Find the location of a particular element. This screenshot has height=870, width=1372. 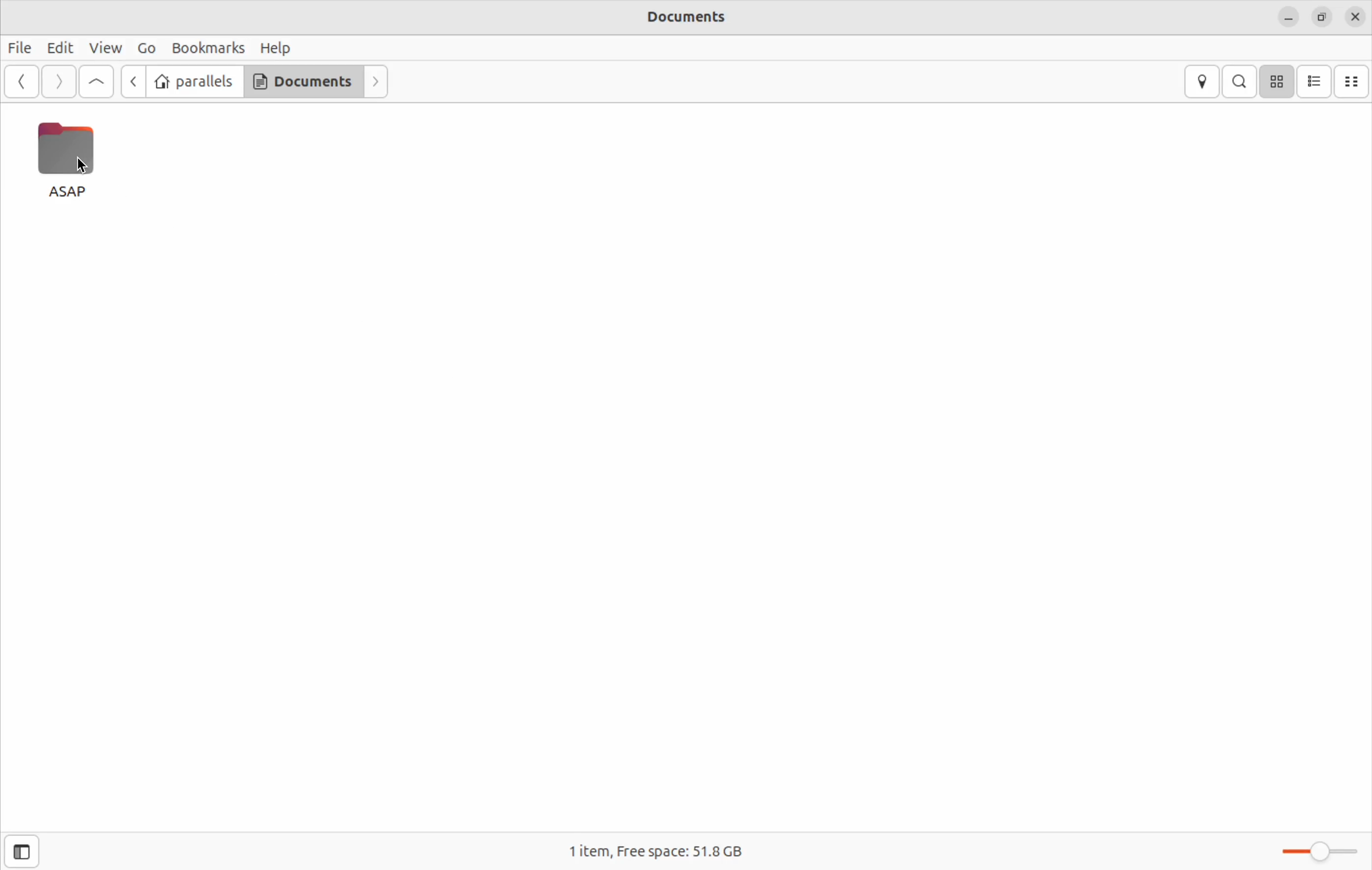

Documents is located at coordinates (690, 19).